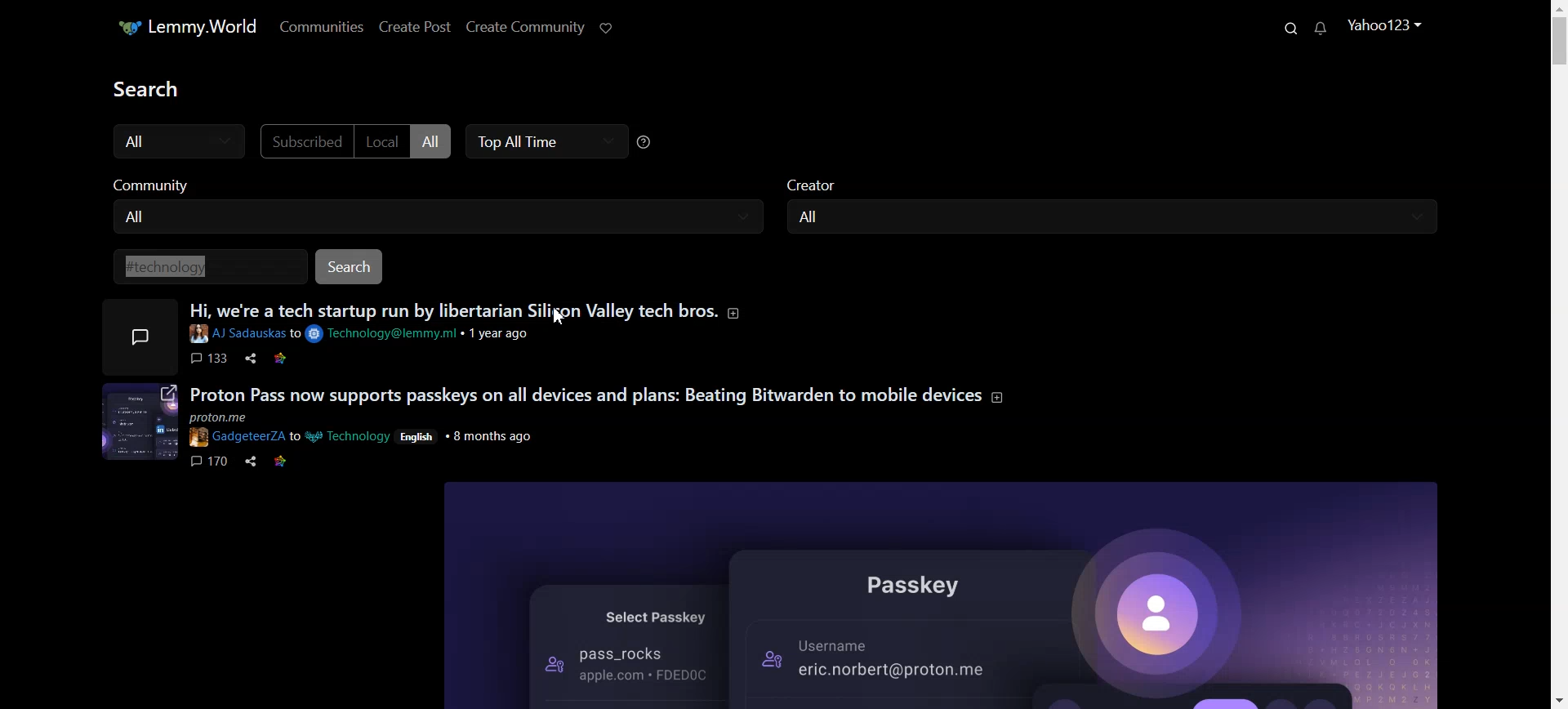 The height and width of the screenshot is (709, 1568). What do you see at coordinates (296, 333) in the screenshot?
I see `to` at bounding box center [296, 333].